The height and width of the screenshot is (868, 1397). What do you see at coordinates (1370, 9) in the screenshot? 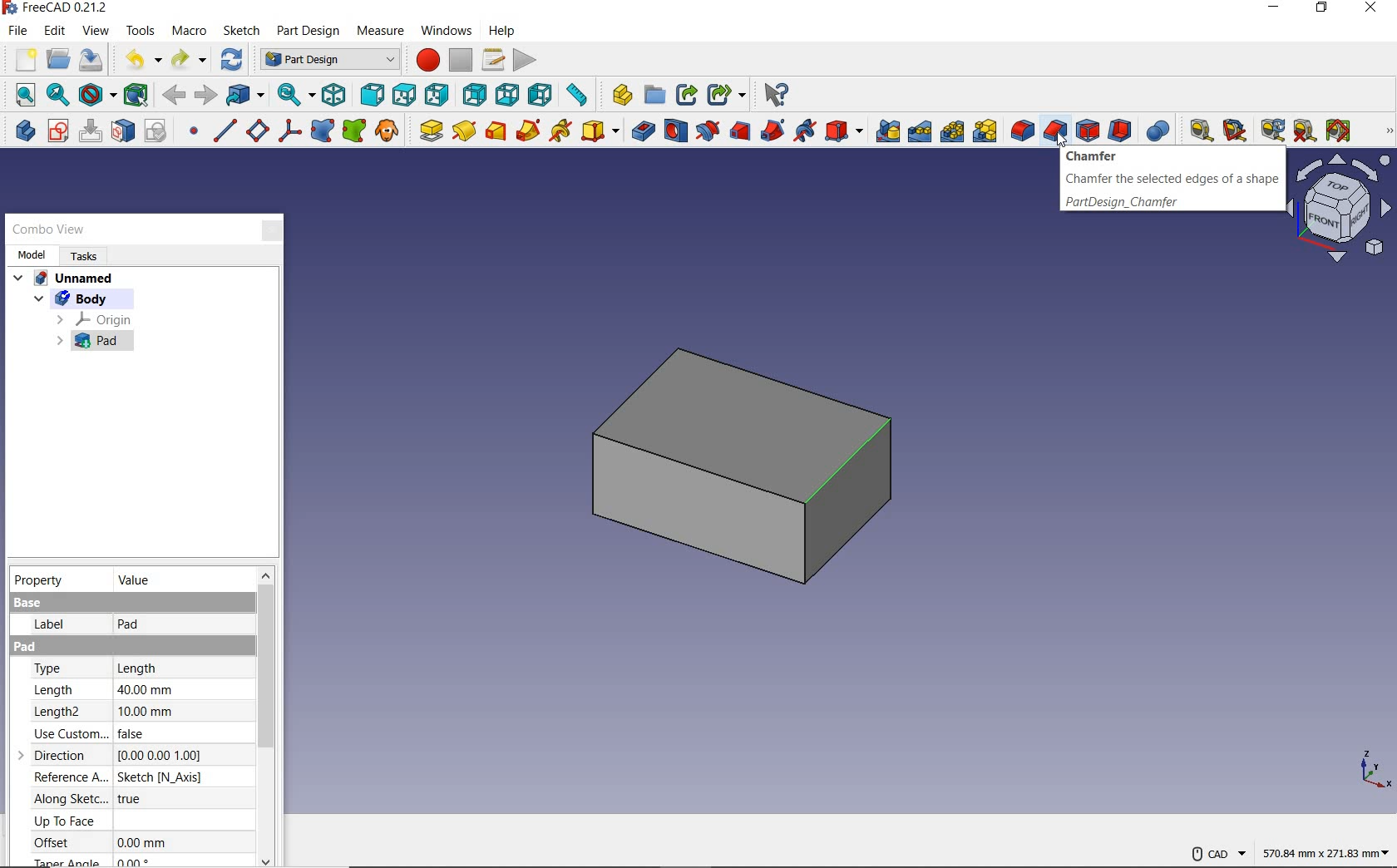
I see `close` at bounding box center [1370, 9].